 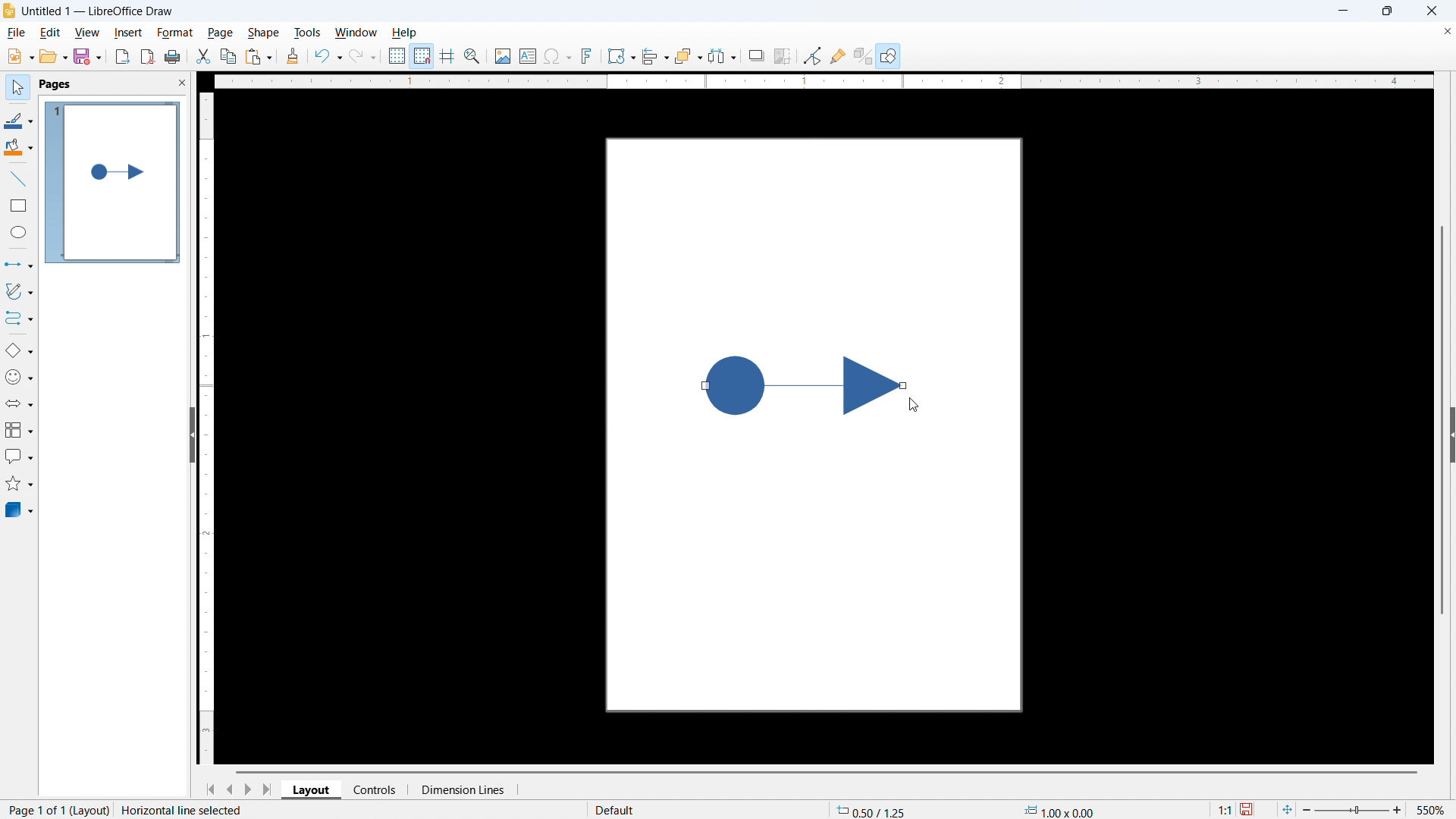 What do you see at coordinates (1225, 809) in the screenshot?
I see `1:1` at bounding box center [1225, 809].